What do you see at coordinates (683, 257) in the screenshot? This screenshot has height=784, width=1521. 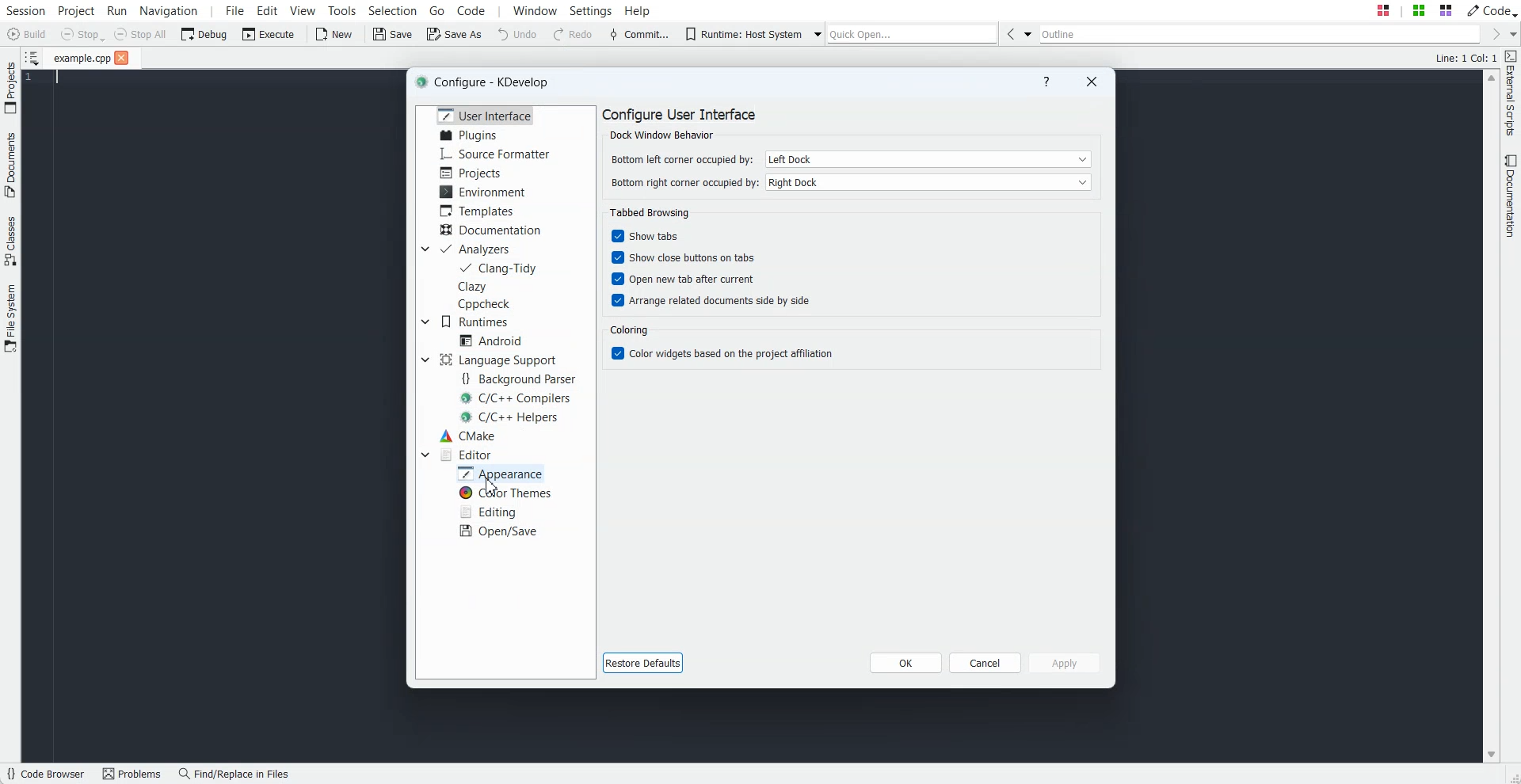 I see `Enable Show close buttons on tabs` at bounding box center [683, 257].